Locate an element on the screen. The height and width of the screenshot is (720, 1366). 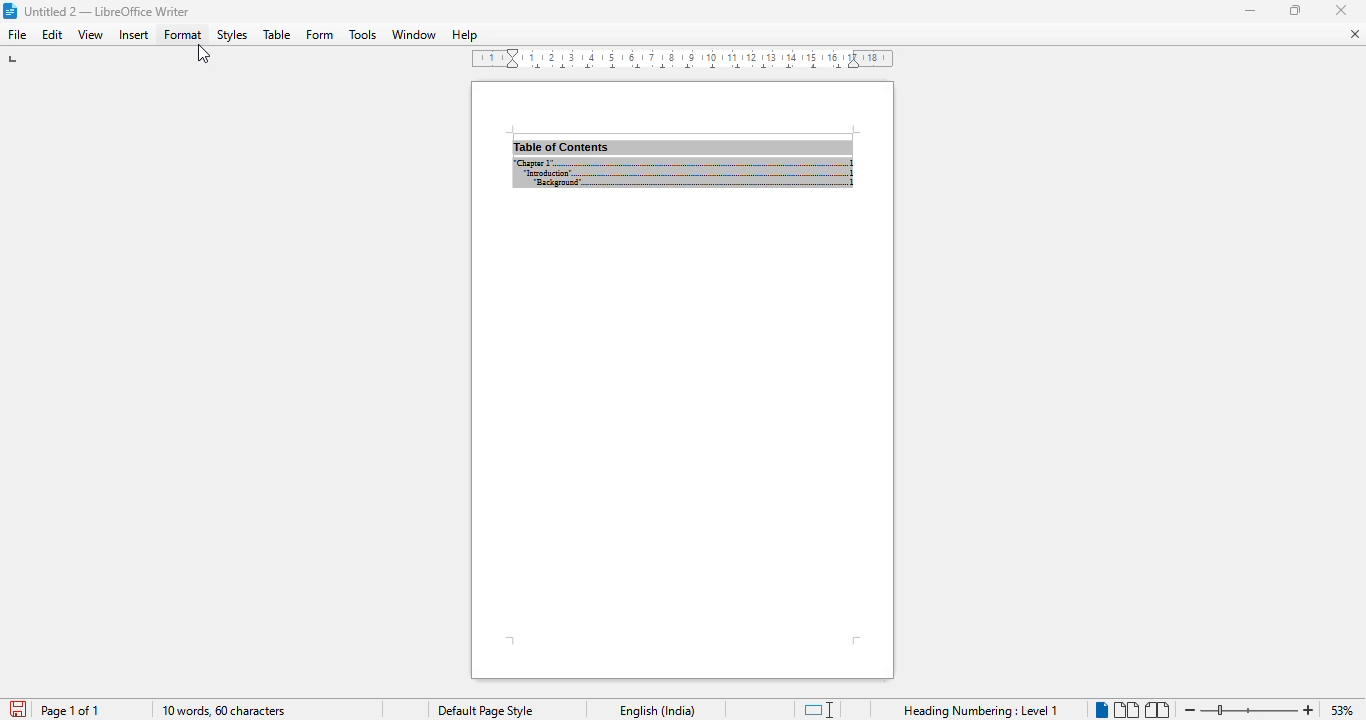
click to save document is located at coordinates (19, 709).